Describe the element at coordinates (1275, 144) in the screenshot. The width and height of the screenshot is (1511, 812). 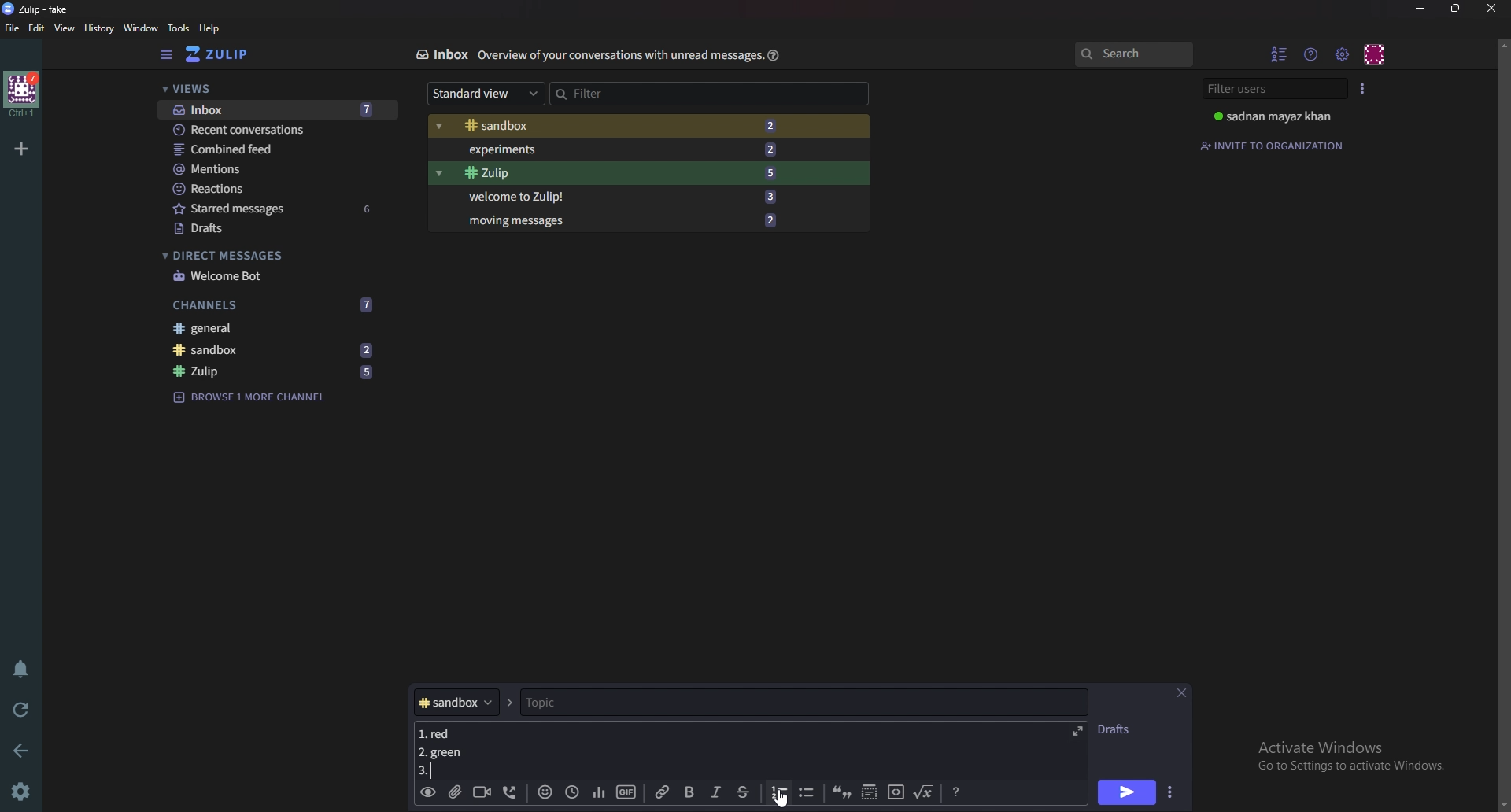
I see `Invite to organization` at that location.